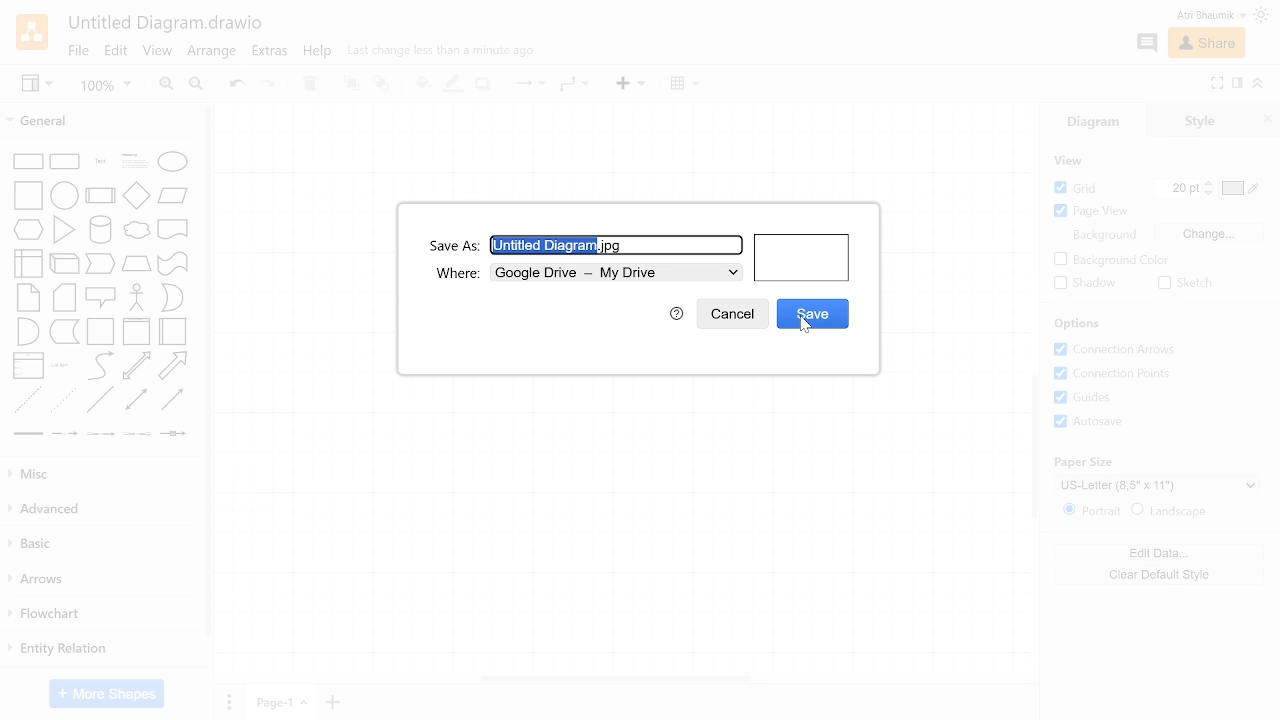  I want to click on Fill line, so click(451, 84).